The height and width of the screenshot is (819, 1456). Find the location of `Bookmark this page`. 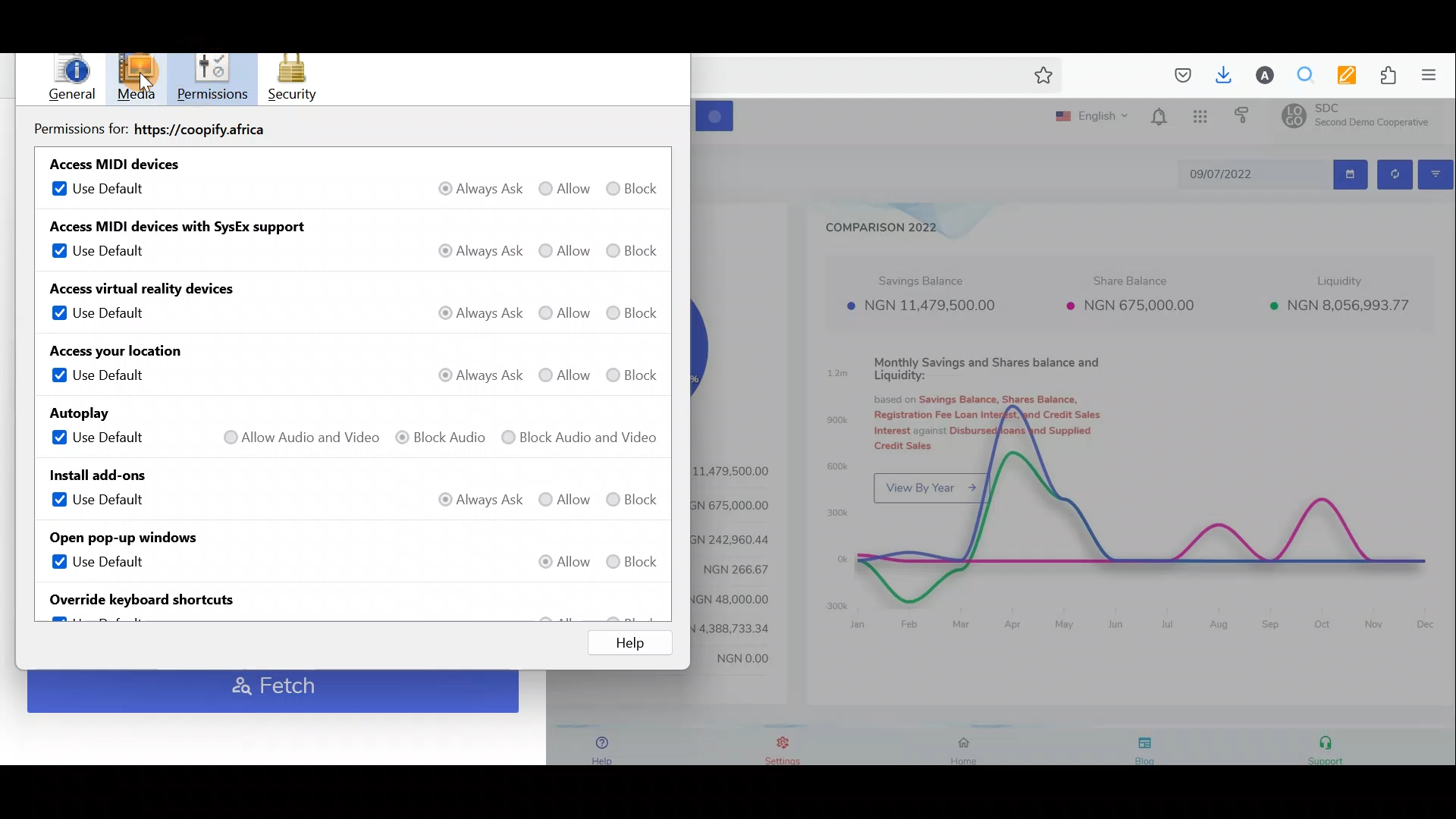

Bookmark this page is located at coordinates (1040, 78).